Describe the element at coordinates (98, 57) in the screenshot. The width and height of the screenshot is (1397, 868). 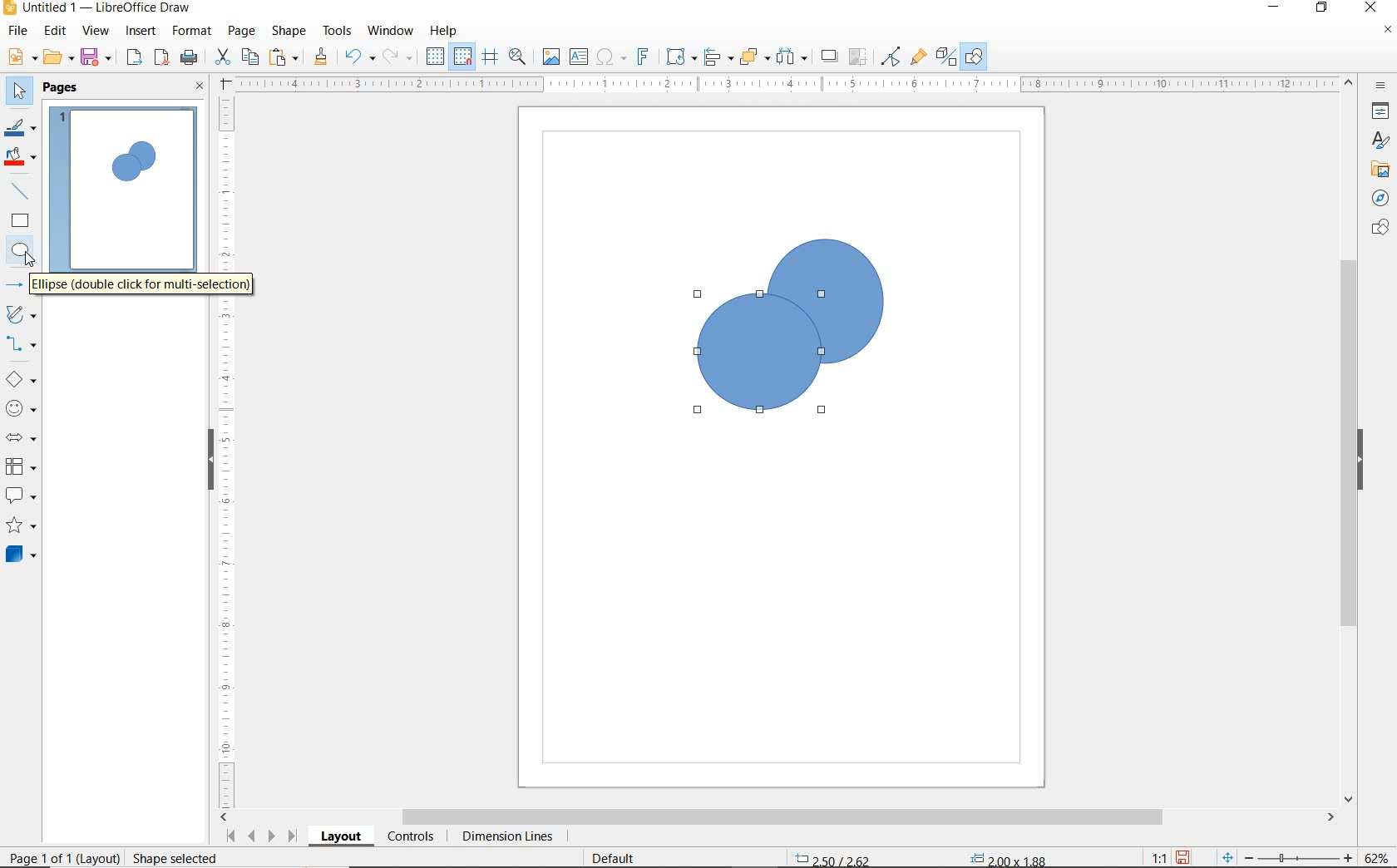
I see `SAVE` at that location.